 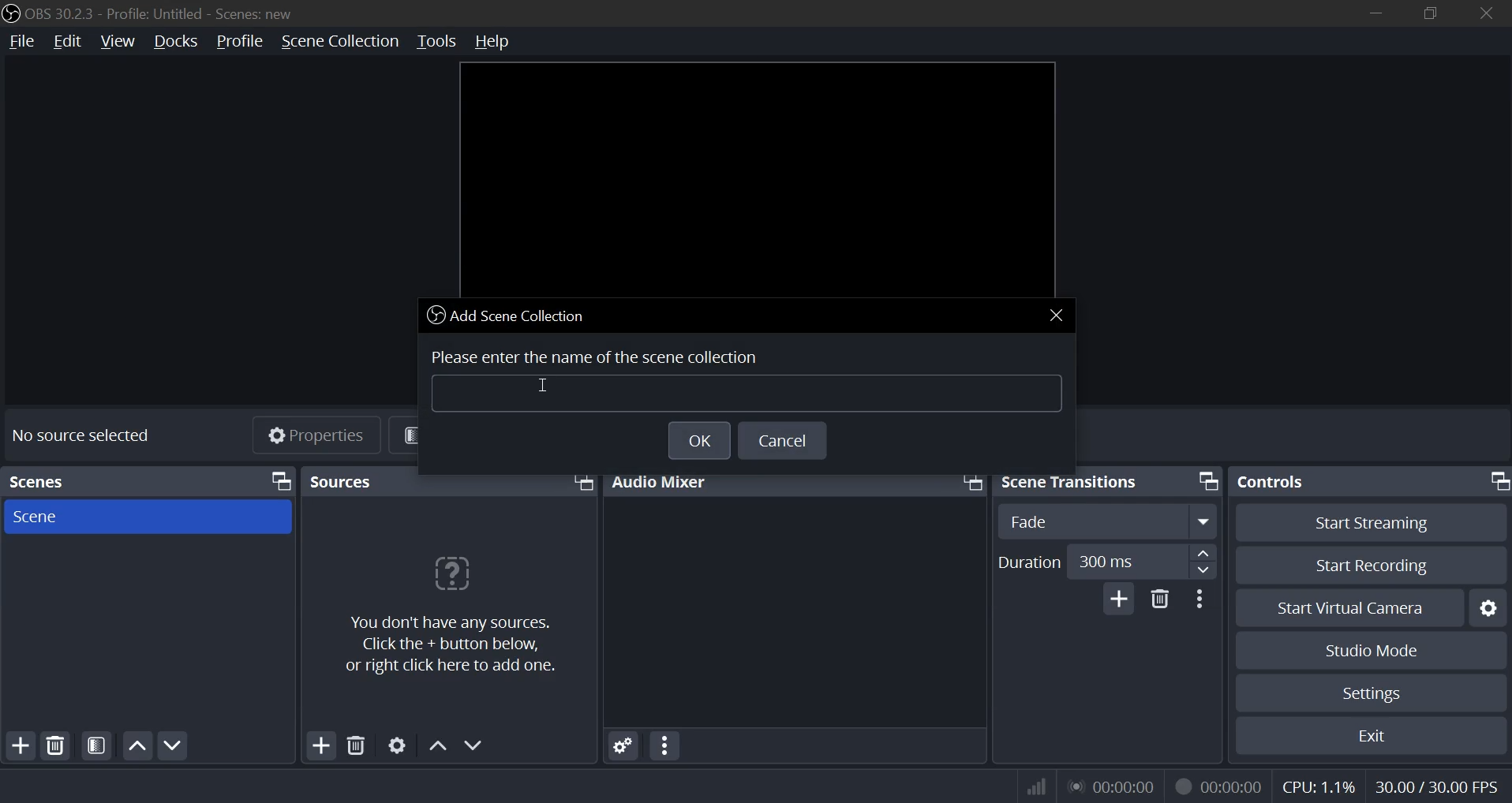 What do you see at coordinates (1350, 607) in the screenshot?
I see `start virtual camera` at bounding box center [1350, 607].